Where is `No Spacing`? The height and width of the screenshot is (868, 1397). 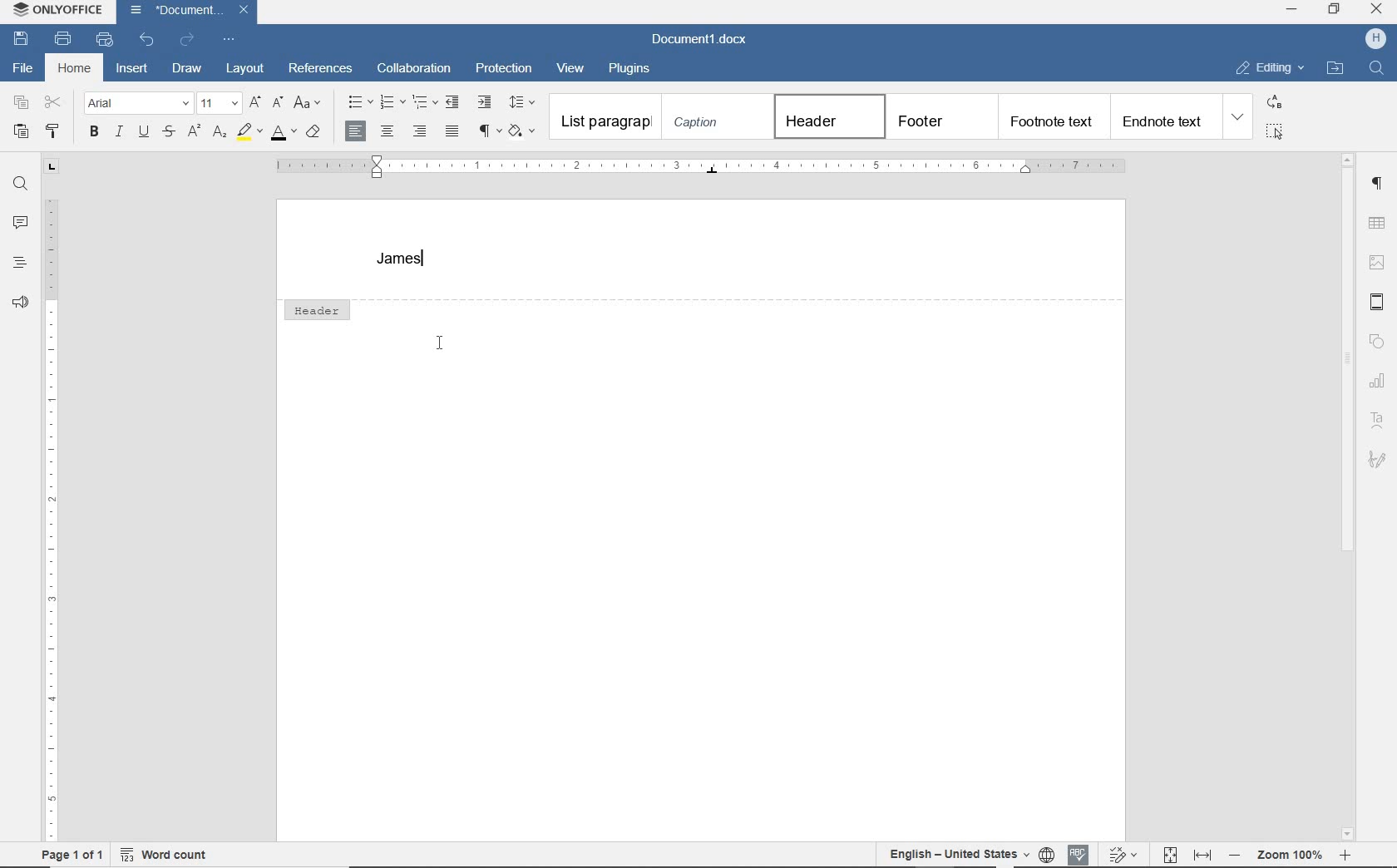 No Spacing is located at coordinates (714, 118).